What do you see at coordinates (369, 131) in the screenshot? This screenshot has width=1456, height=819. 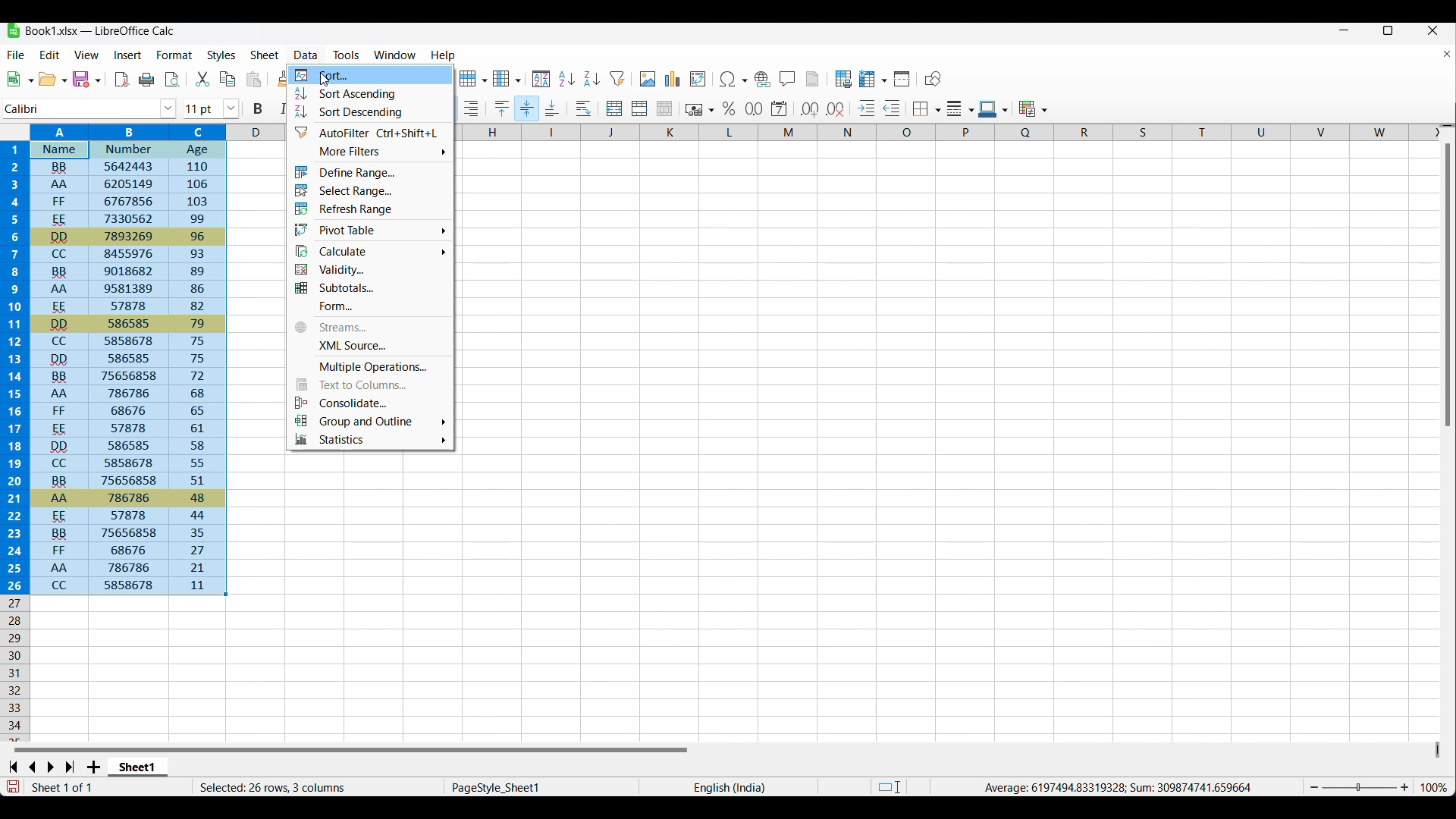 I see `AutoFilter` at bounding box center [369, 131].